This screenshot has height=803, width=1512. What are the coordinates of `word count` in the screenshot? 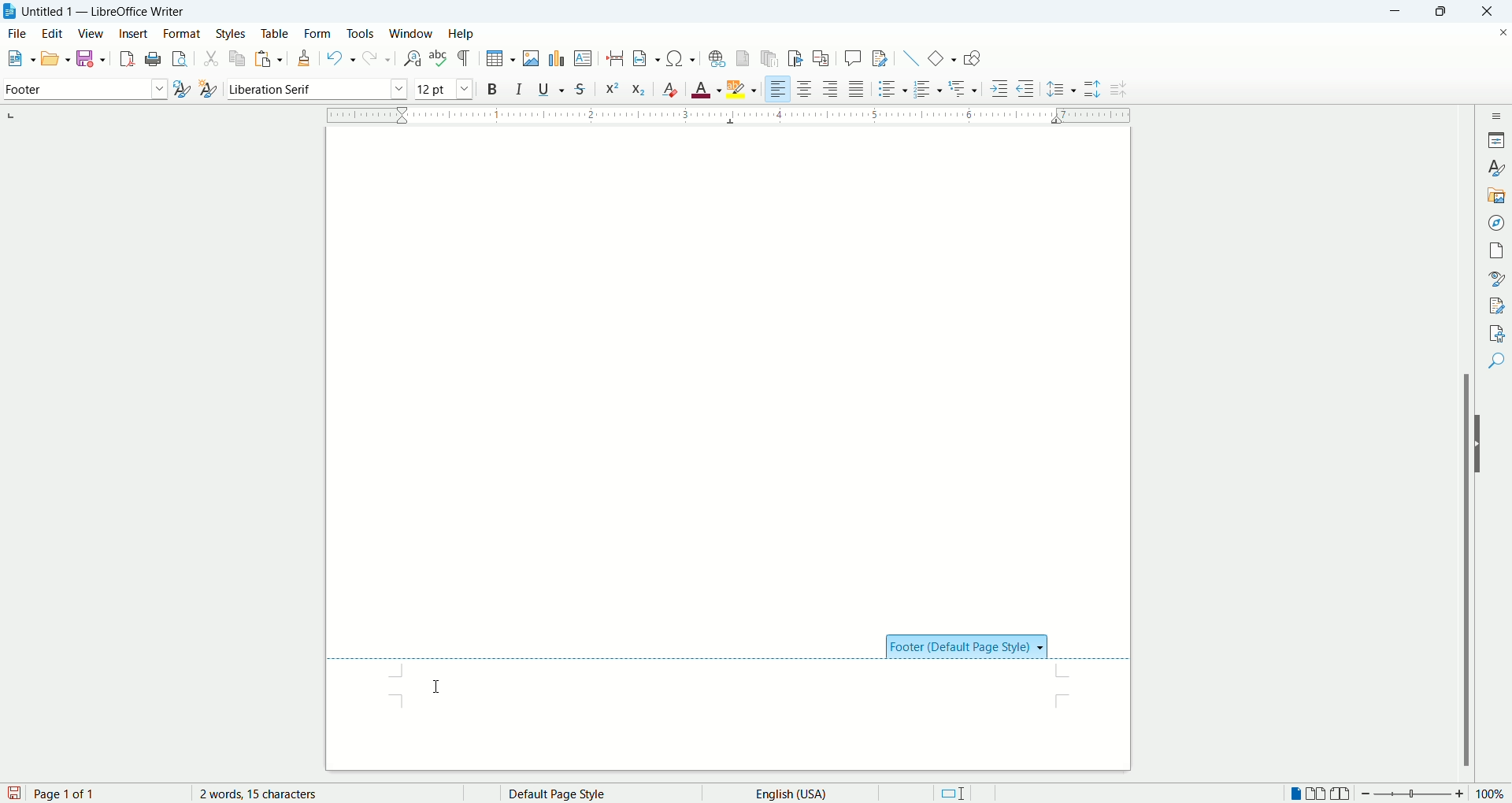 It's located at (272, 794).